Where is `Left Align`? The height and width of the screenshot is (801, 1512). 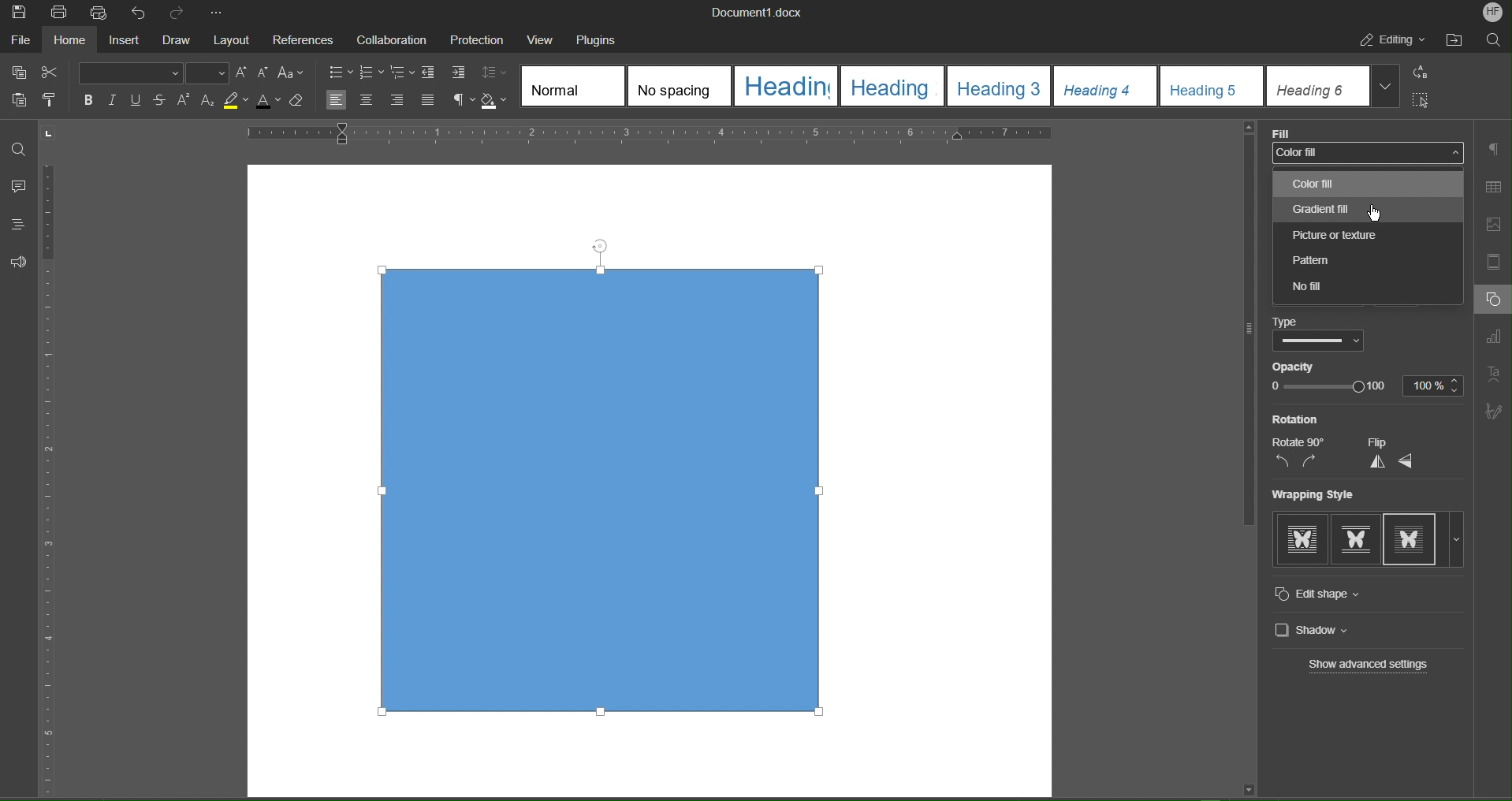 Left Align is located at coordinates (338, 101).